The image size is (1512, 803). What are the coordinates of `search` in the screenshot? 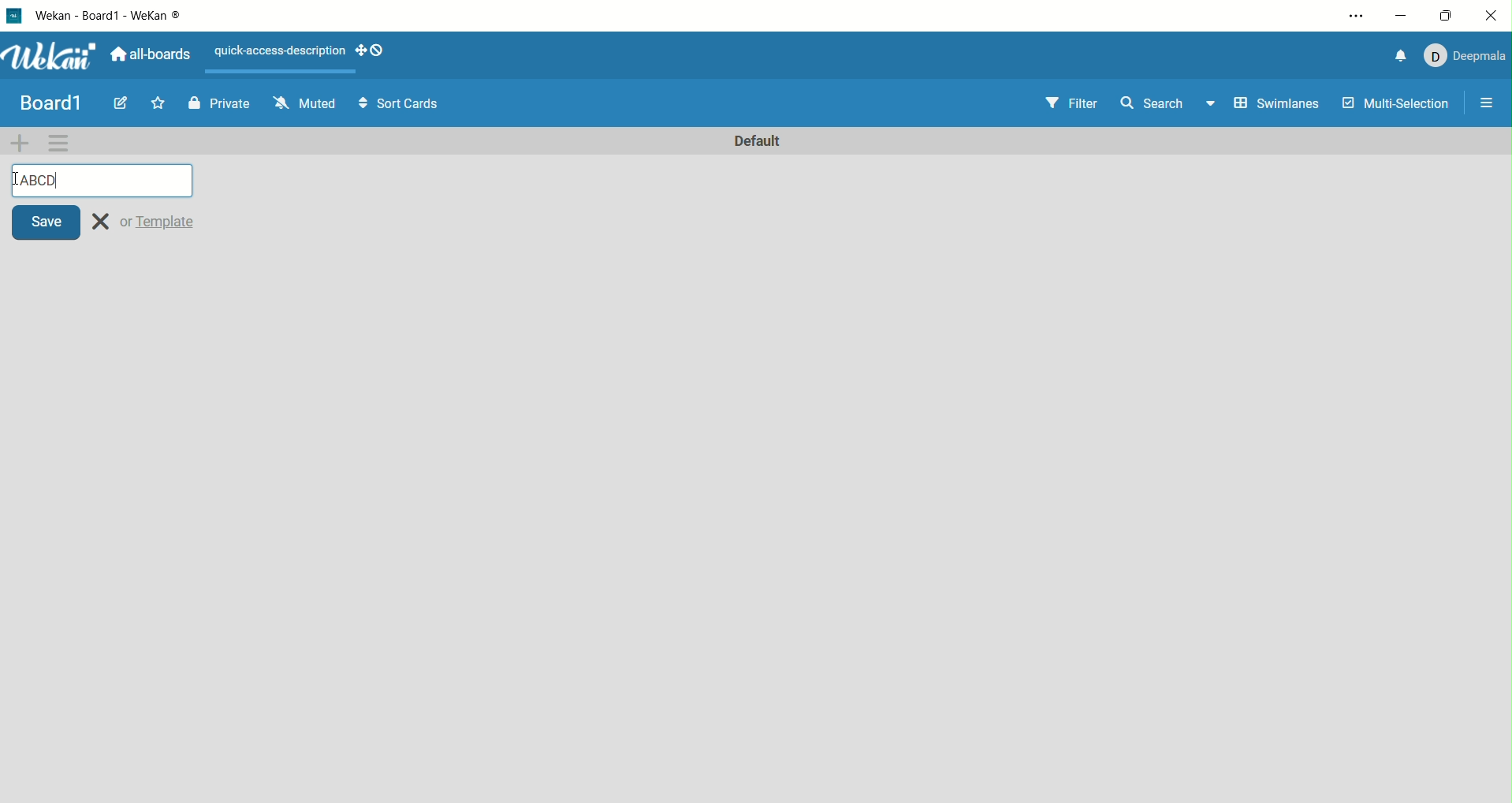 It's located at (1167, 105).